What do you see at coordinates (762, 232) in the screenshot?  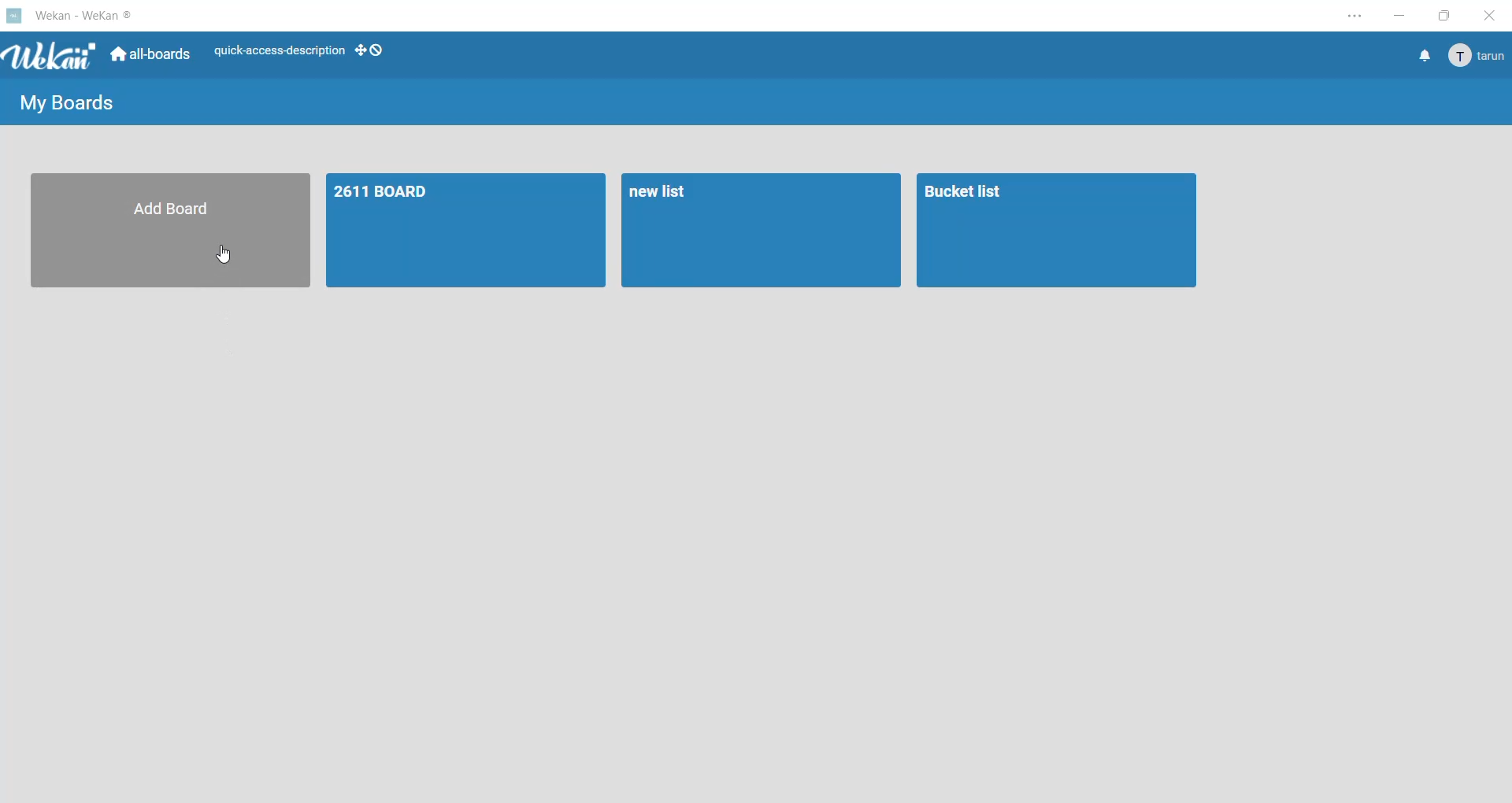 I see `board 2` at bounding box center [762, 232].